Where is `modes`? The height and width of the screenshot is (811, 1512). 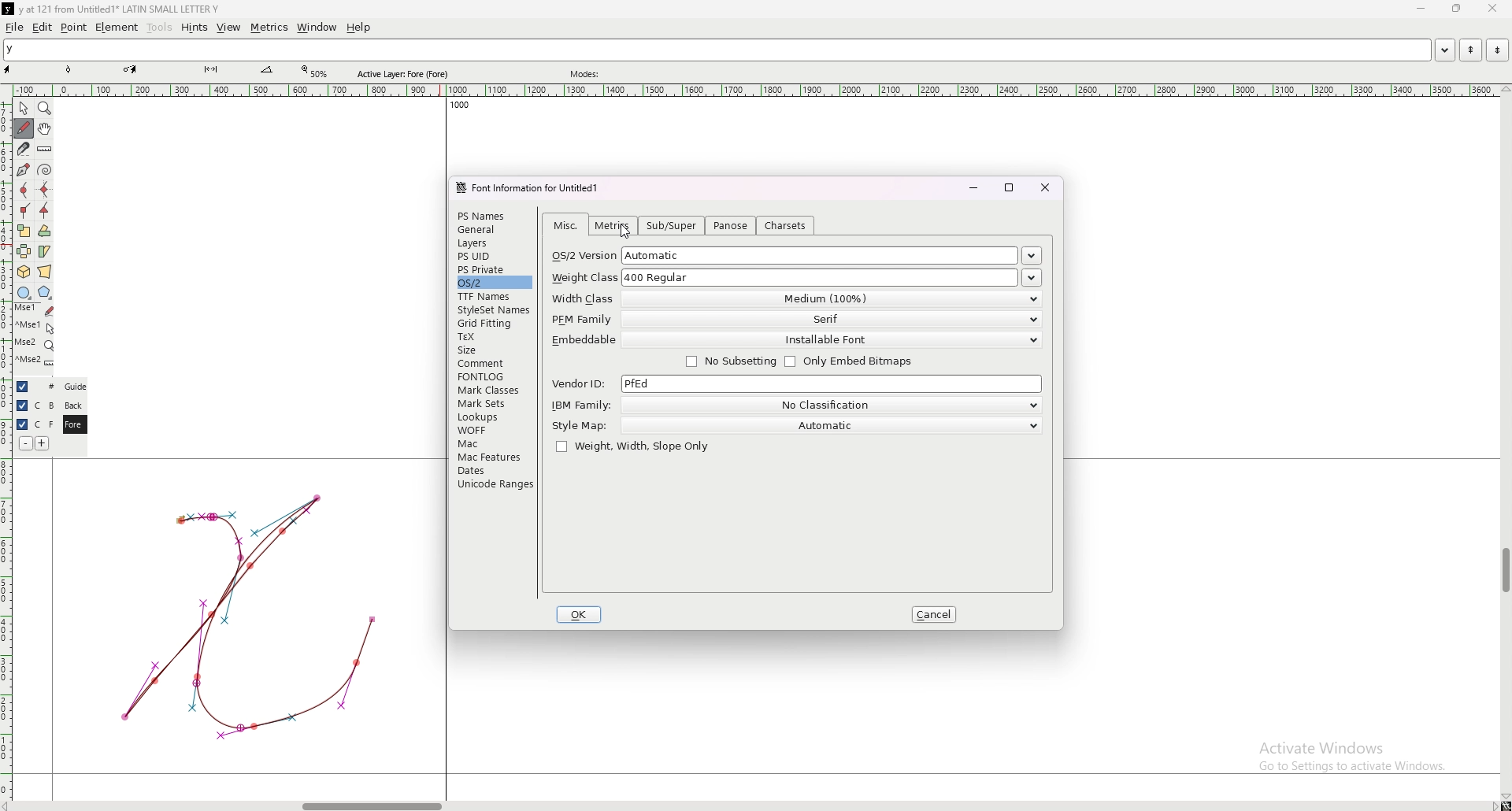
modes is located at coordinates (587, 74).